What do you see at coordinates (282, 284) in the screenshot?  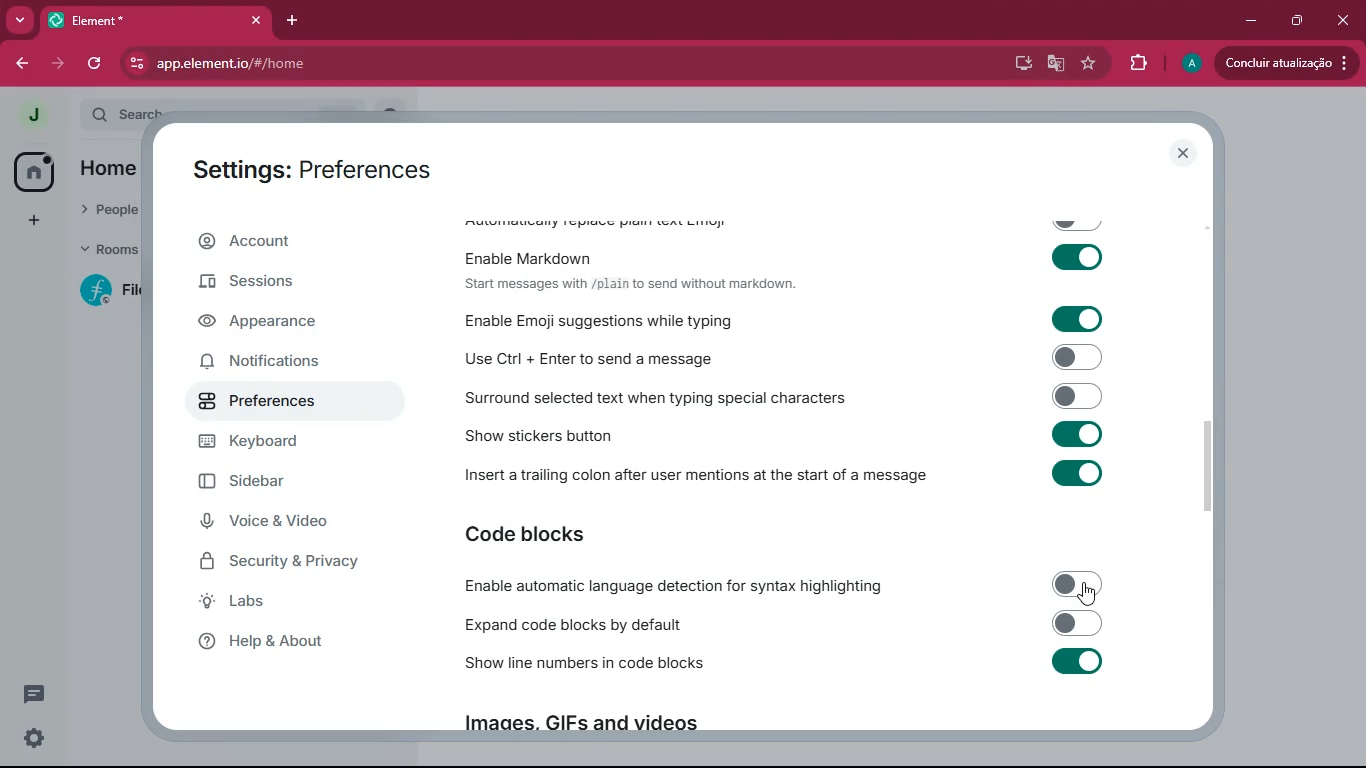 I see `sessions` at bounding box center [282, 284].